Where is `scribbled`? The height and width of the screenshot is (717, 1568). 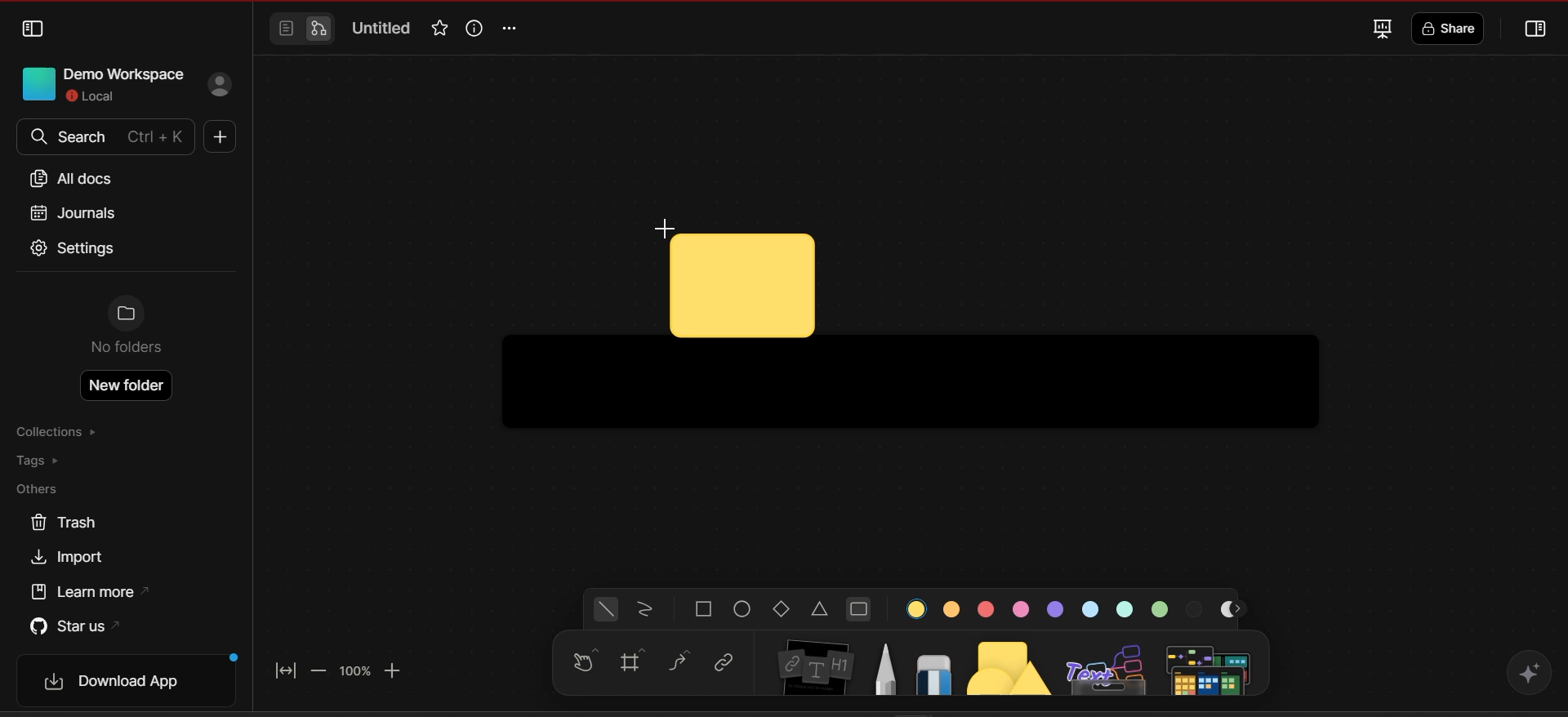 scribbled is located at coordinates (645, 611).